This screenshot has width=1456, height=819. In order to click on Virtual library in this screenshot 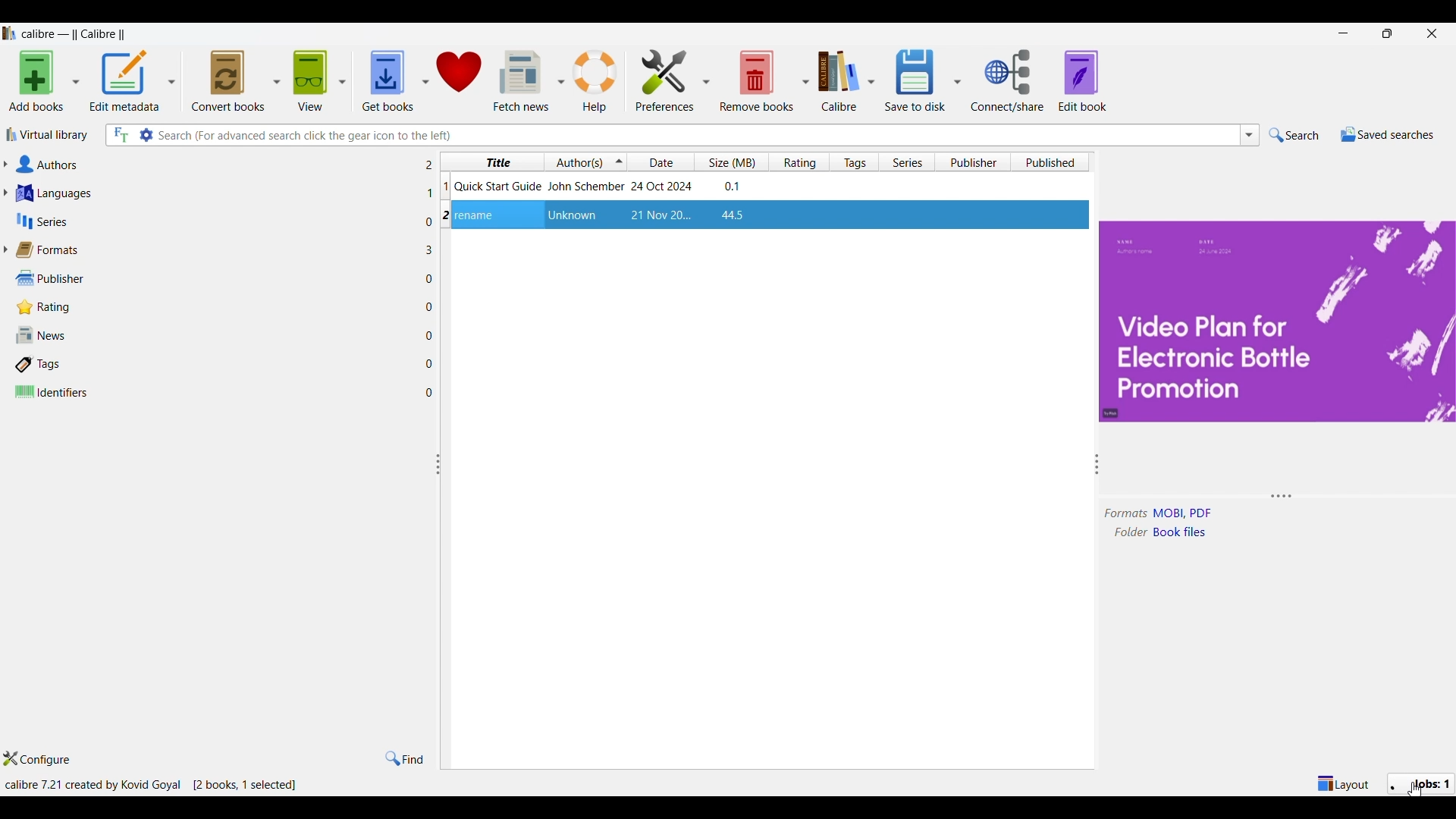, I will do `click(47, 135)`.